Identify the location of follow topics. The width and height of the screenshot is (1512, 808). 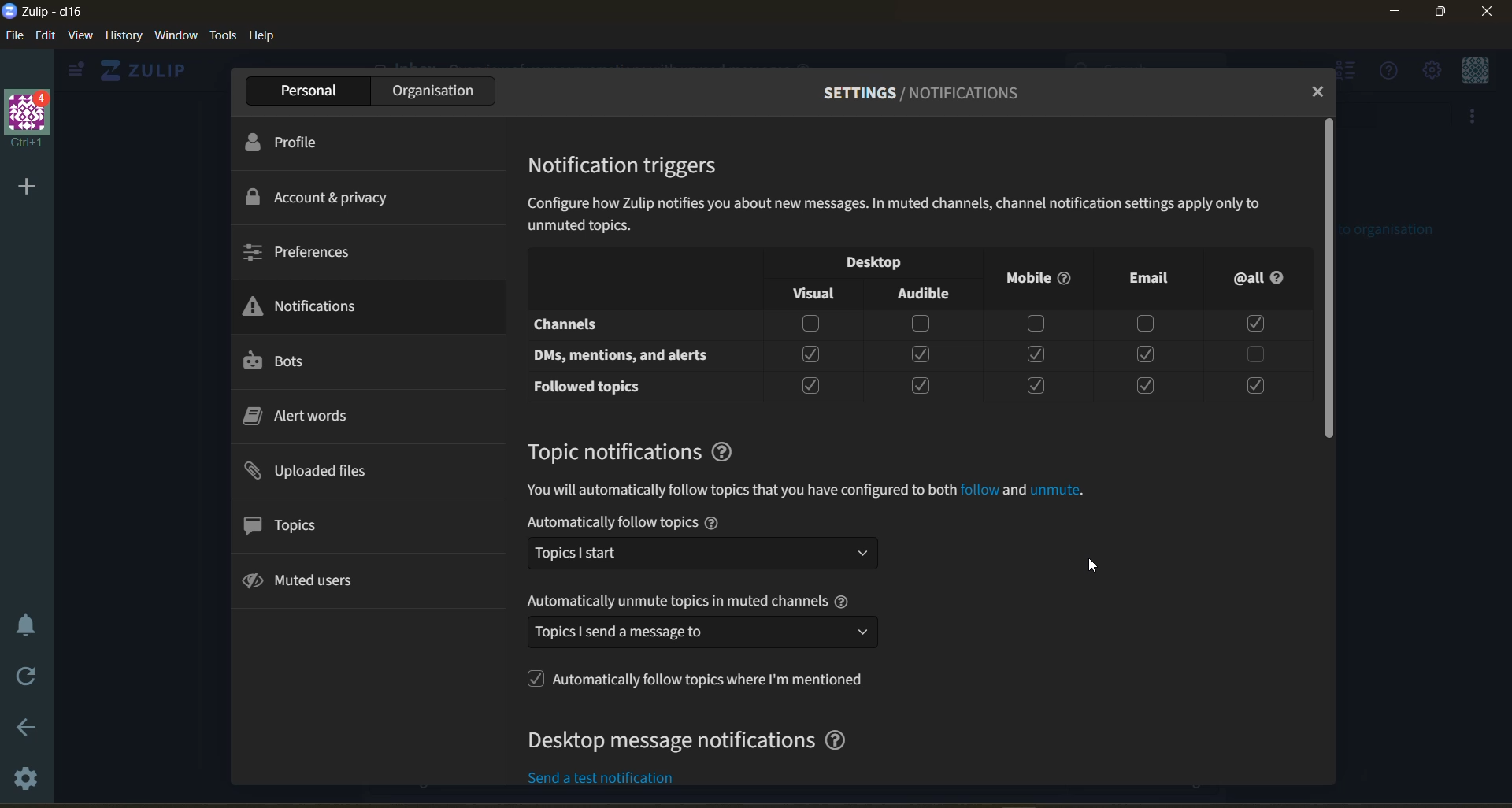
(695, 679).